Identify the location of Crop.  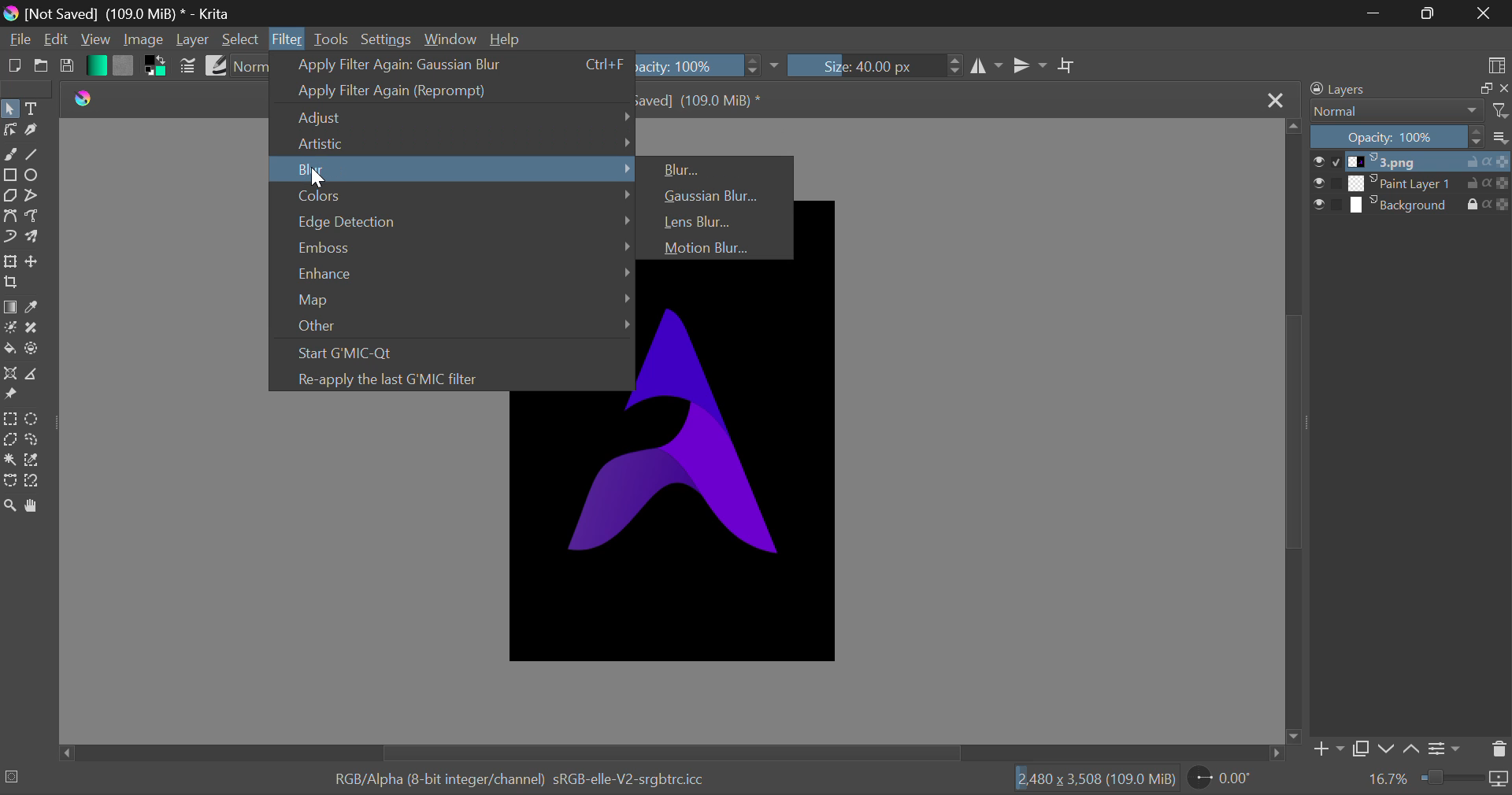
(1067, 66).